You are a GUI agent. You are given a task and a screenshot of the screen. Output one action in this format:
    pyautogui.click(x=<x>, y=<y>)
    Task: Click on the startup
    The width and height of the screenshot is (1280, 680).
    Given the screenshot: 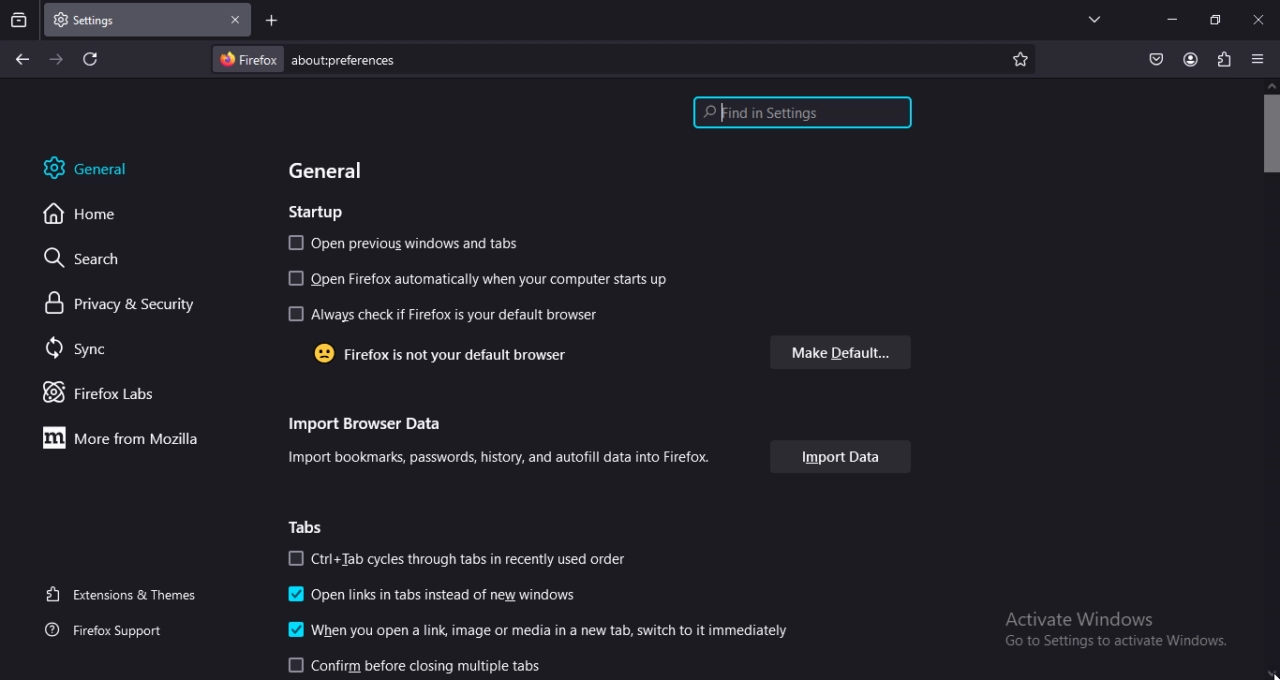 What is the action you would take?
    pyautogui.click(x=315, y=212)
    